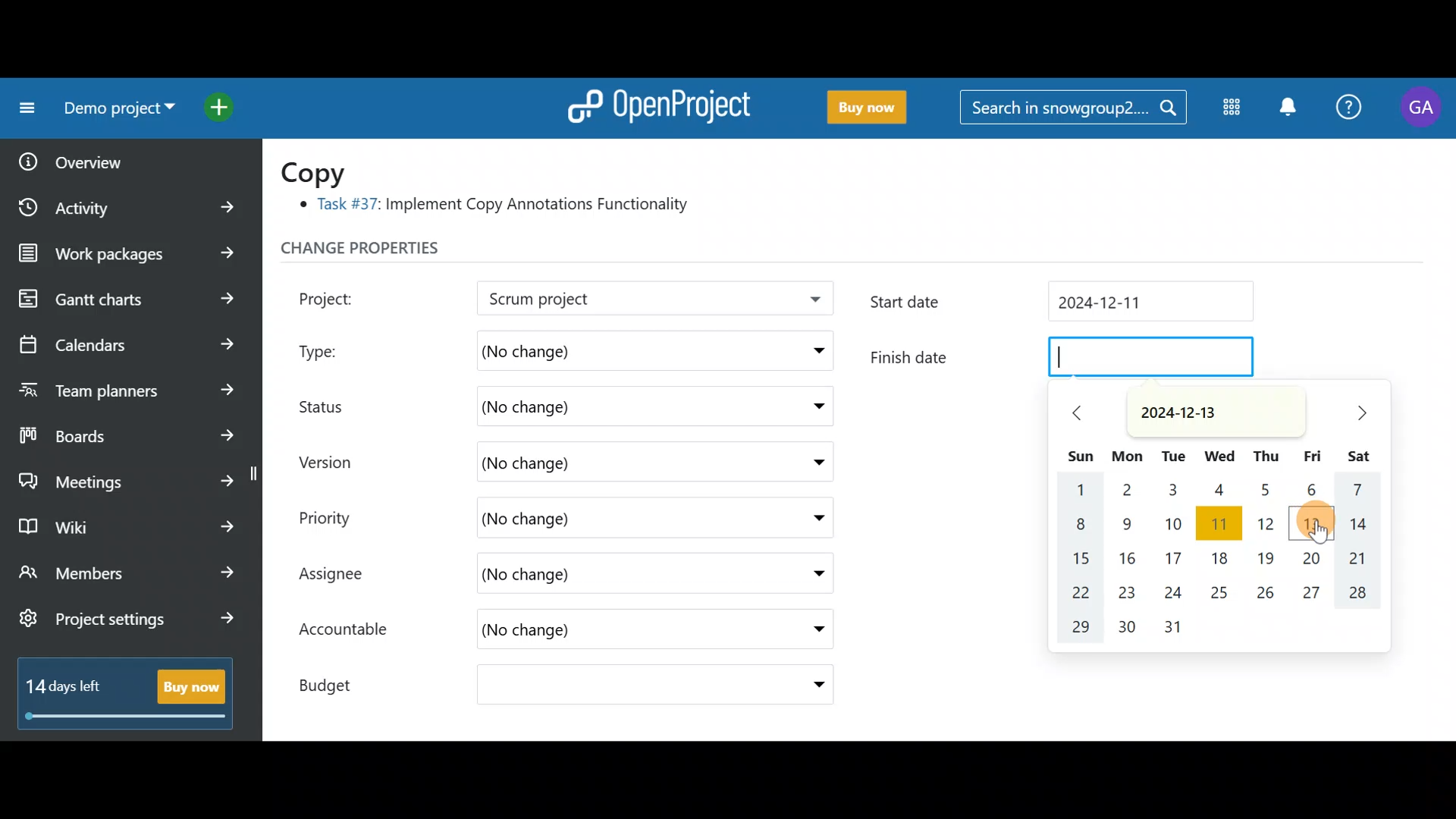 This screenshot has height=819, width=1456. Describe the element at coordinates (1068, 305) in the screenshot. I see `Start date` at that location.